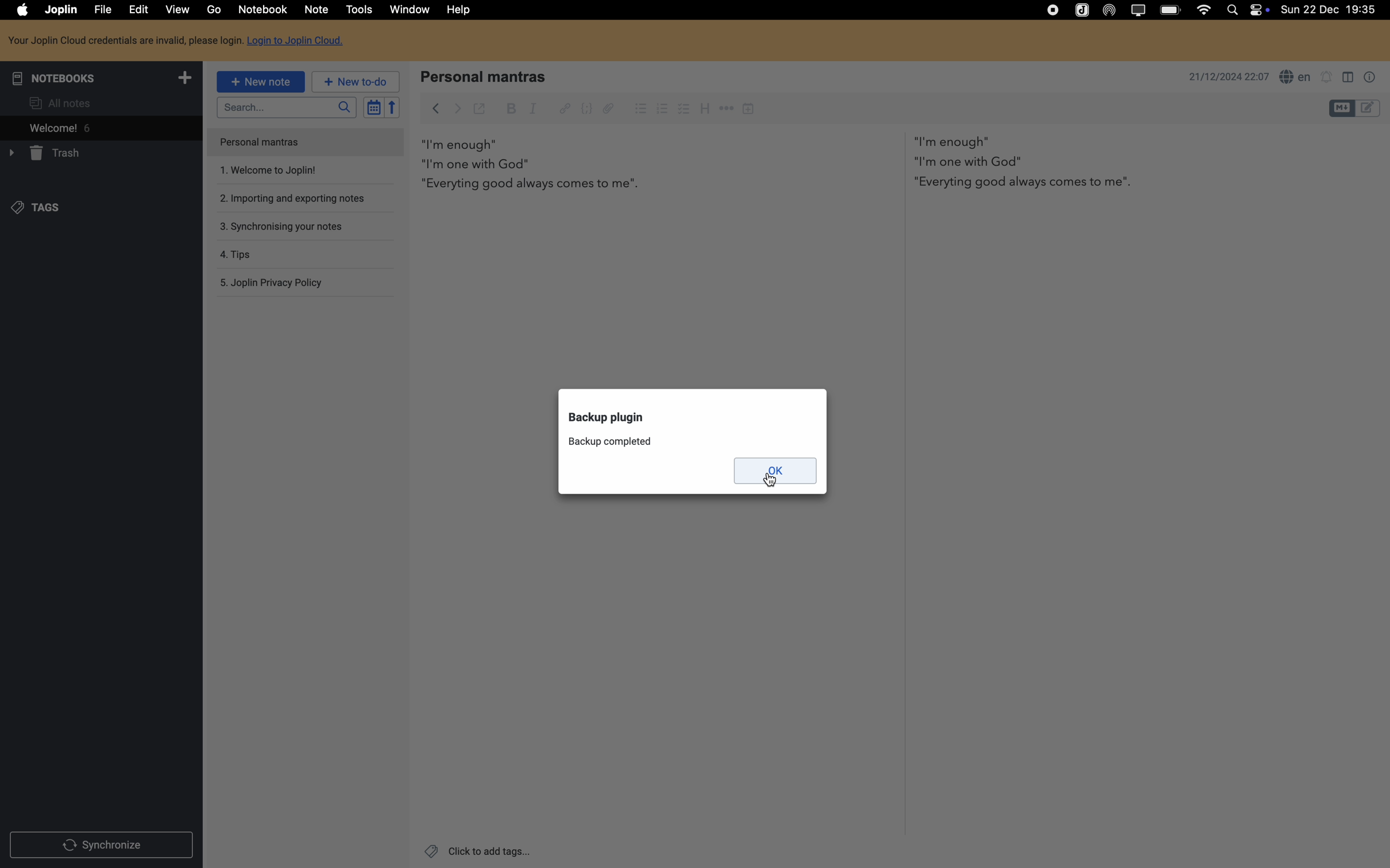 The width and height of the screenshot is (1390, 868). Describe the element at coordinates (1341, 108) in the screenshot. I see `toggle editor layout` at that location.